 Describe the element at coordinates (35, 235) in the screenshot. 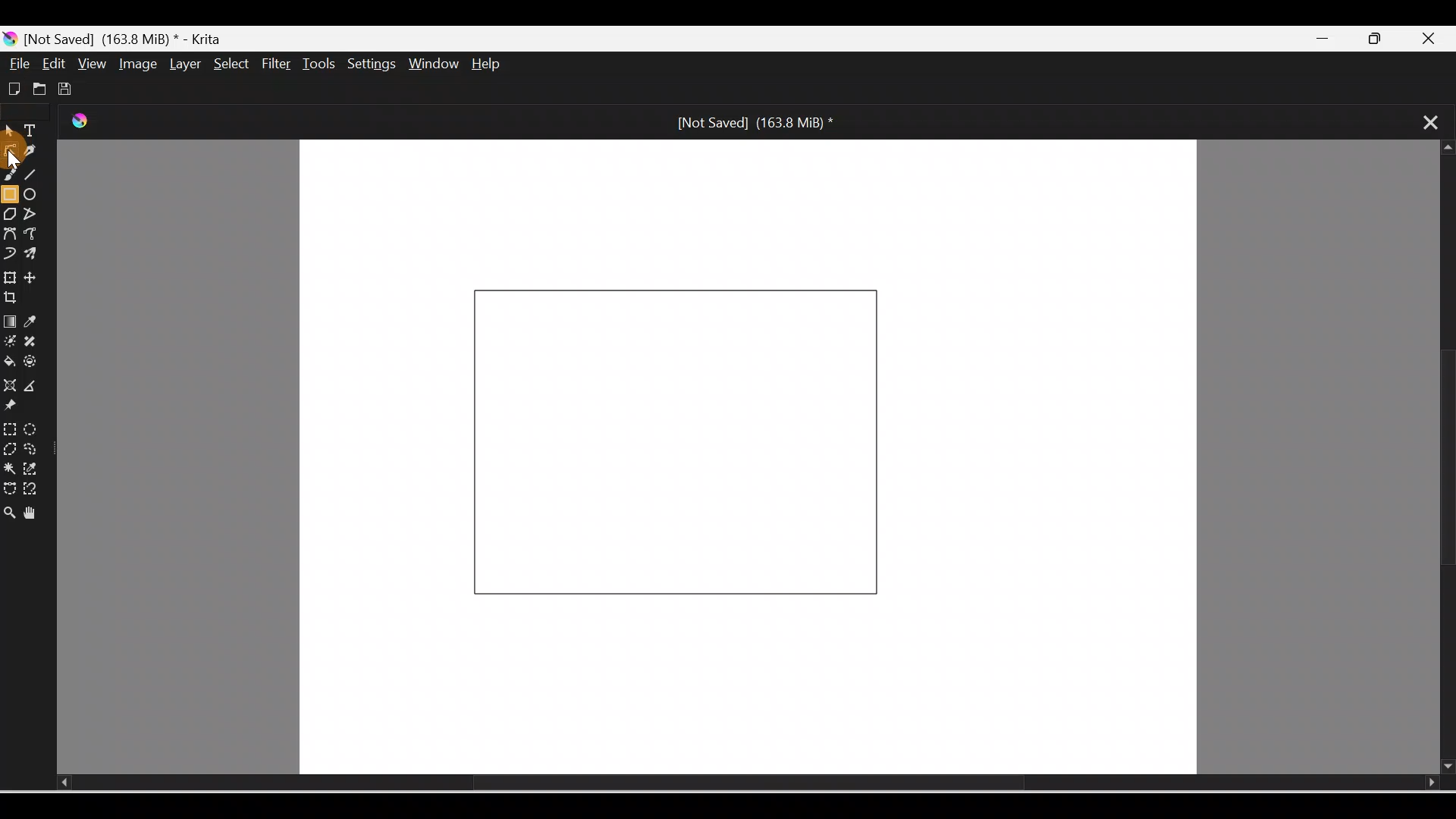

I see `Freehand path tool` at that location.